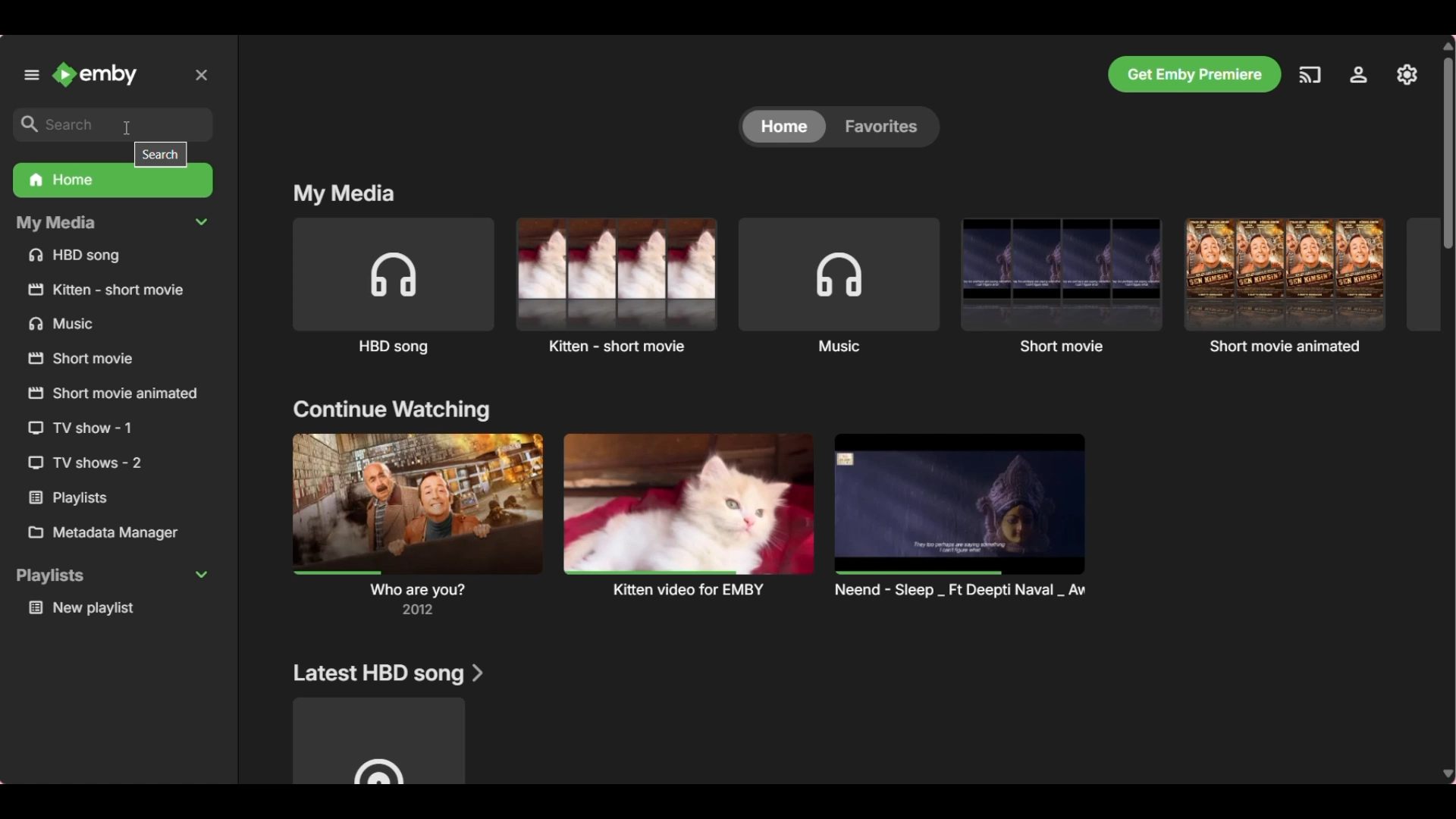 This screenshot has width=1456, height=819. I want to click on Section title, so click(344, 195).